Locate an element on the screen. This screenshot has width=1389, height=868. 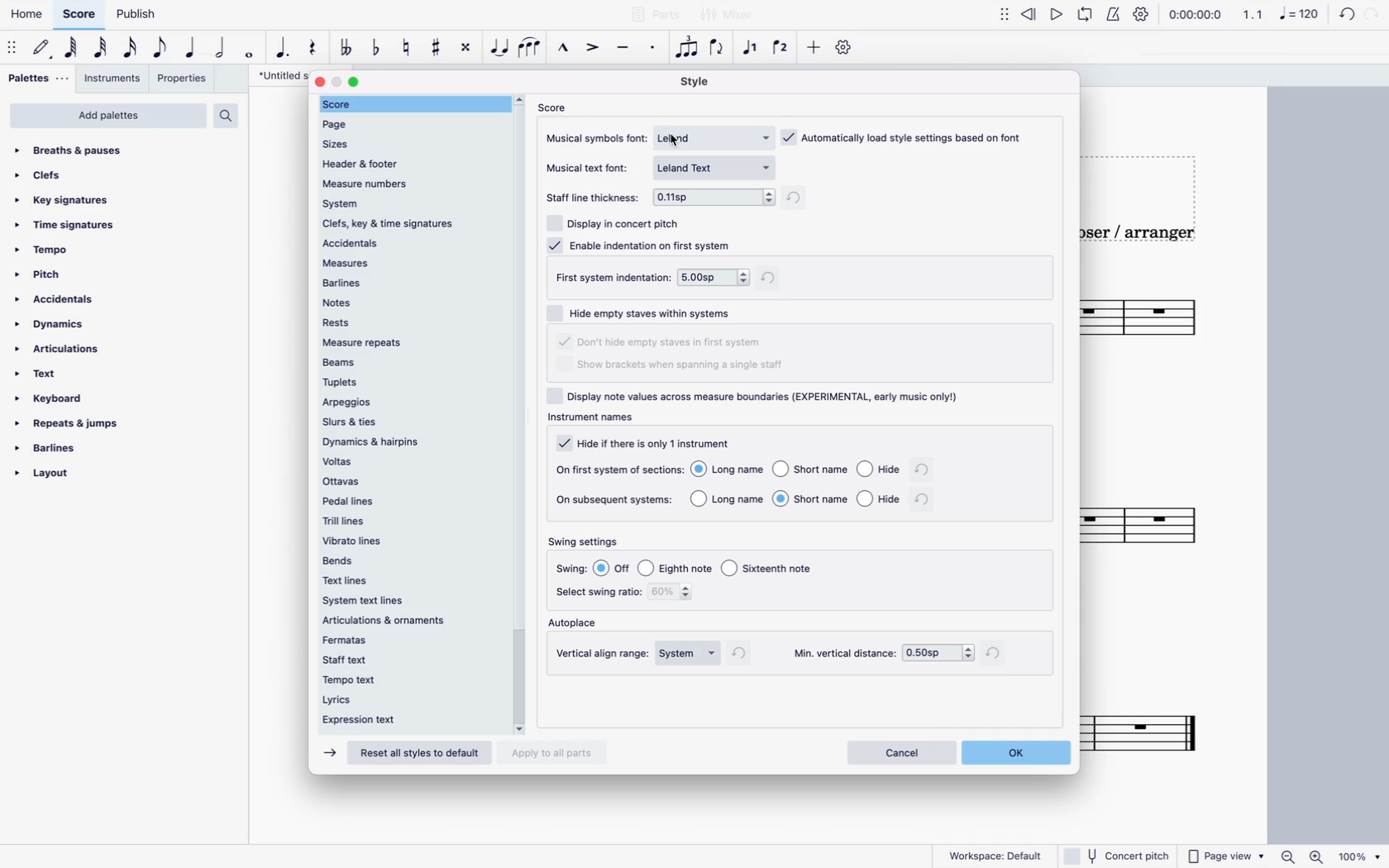
layout is located at coordinates (70, 477).